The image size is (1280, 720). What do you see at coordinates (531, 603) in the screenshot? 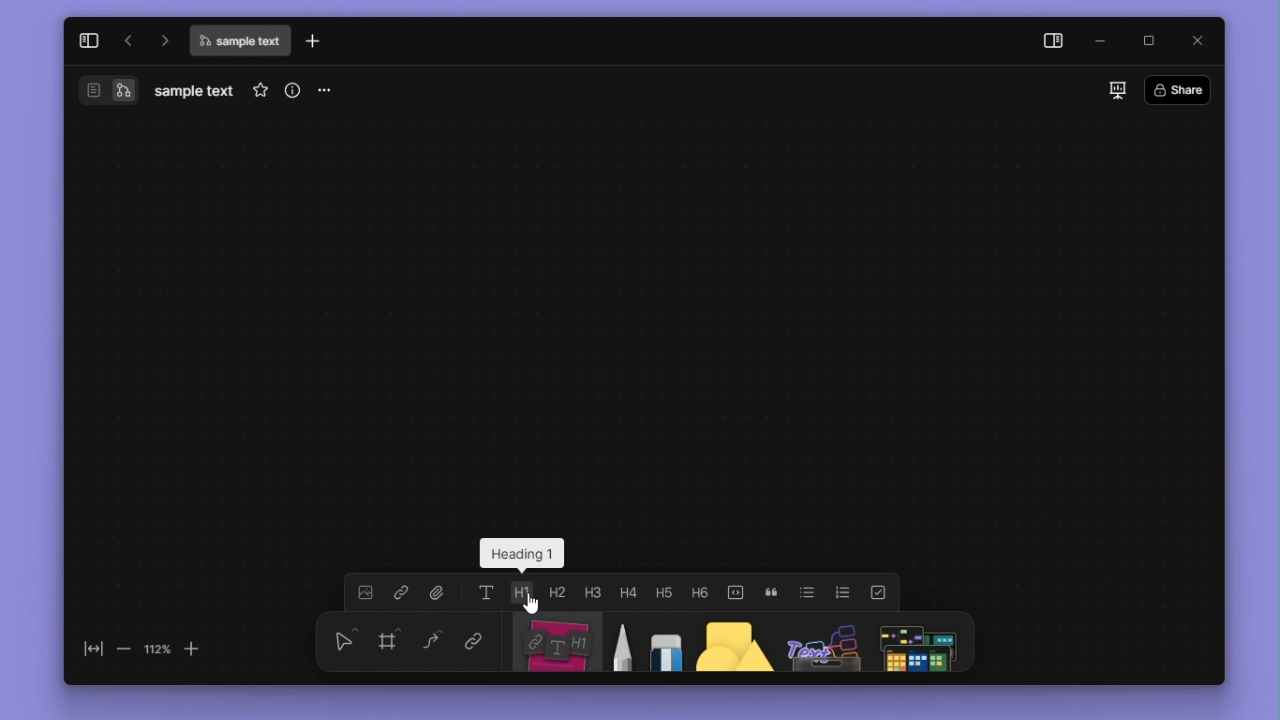
I see `cursor` at bounding box center [531, 603].